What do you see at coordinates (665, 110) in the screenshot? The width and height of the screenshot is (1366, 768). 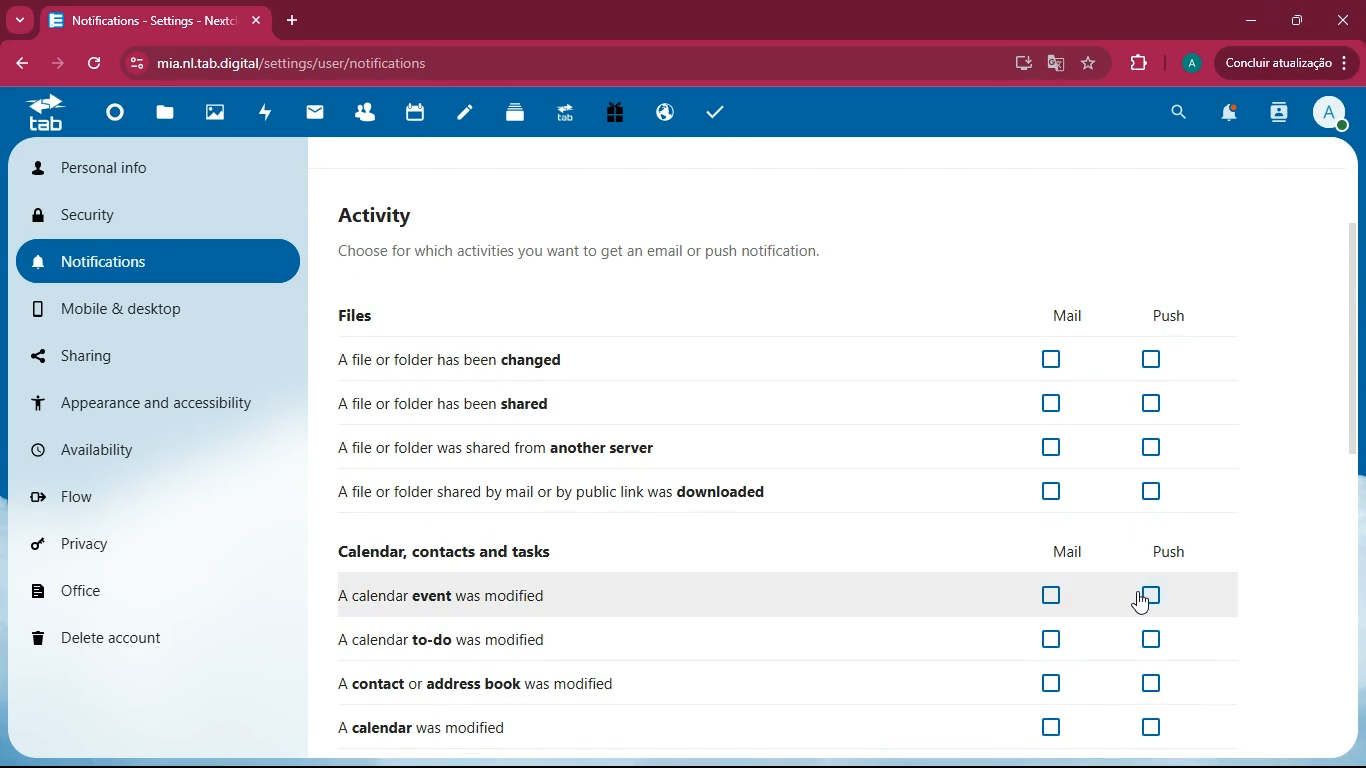 I see `public` at bounding box center [665, 110].